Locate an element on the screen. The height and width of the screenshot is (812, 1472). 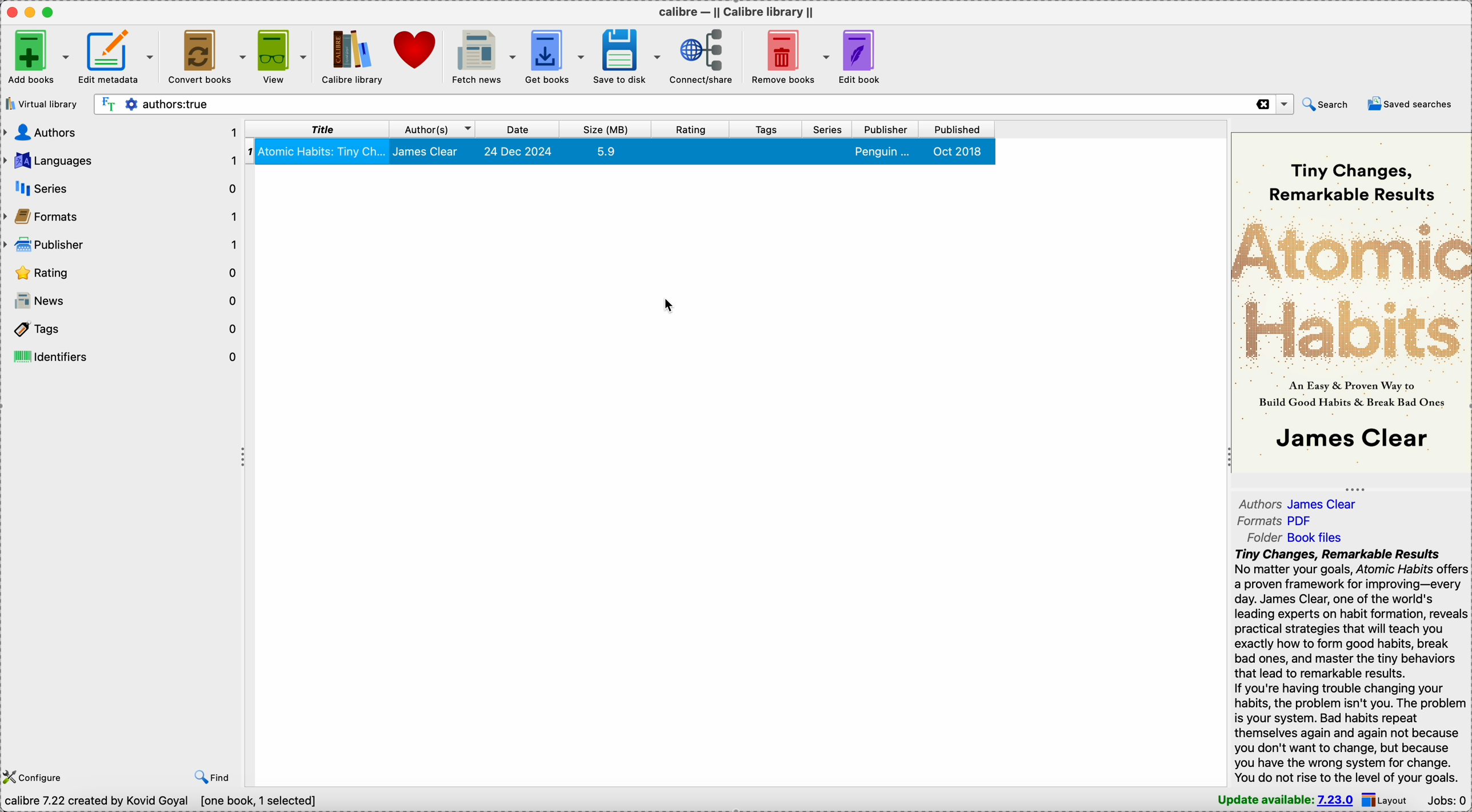
publisher is located at coordinates (887, 129).